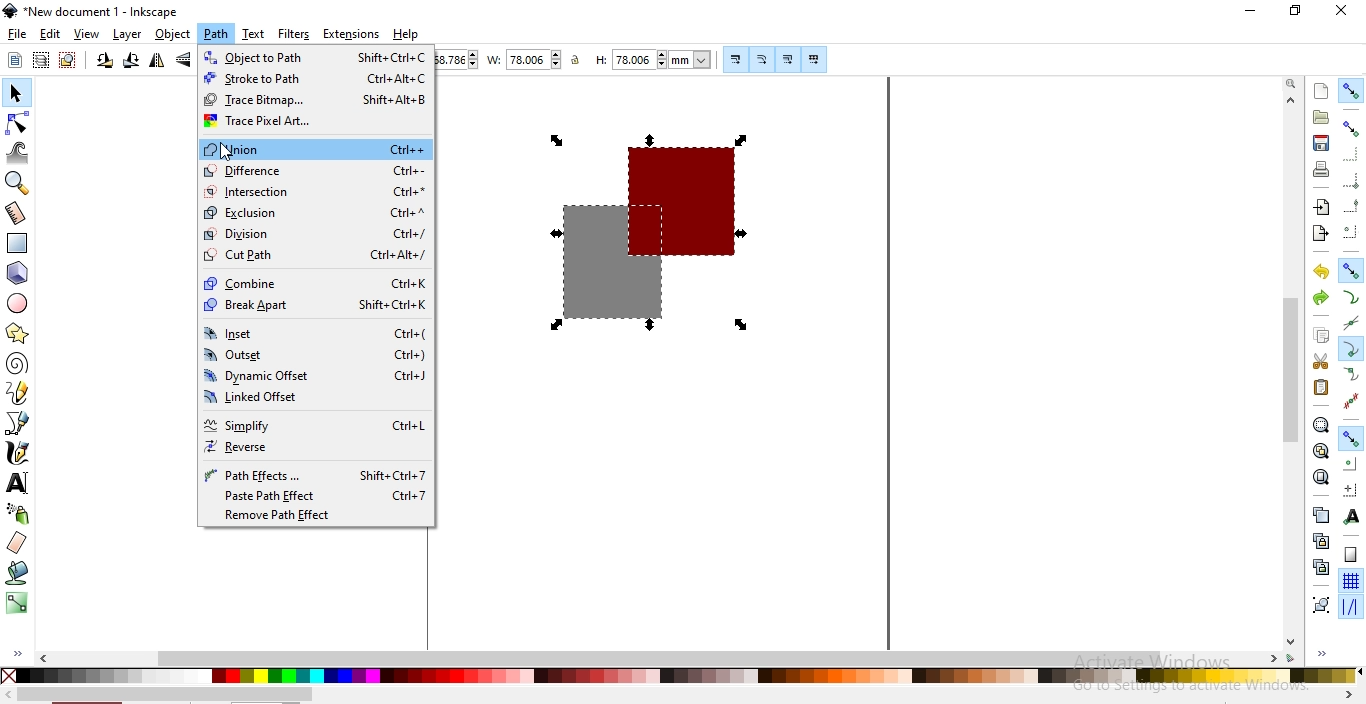 Image resolution: width=1366 pixels, height=704 pixels. Describe the element at coordinates (314, 170) in the screenshot. I see `difference` at that location.